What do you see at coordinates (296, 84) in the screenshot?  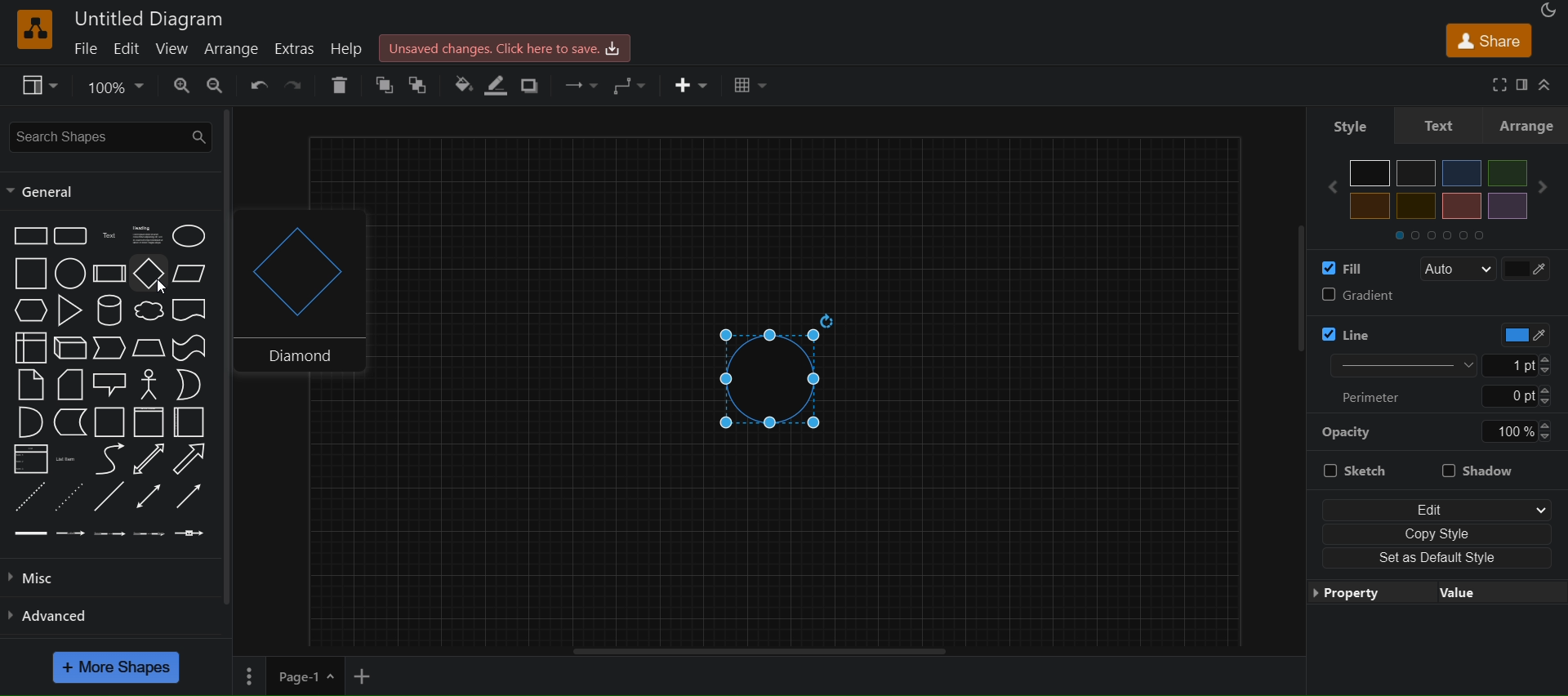 I see `redo` at bounding box center [296, 84].